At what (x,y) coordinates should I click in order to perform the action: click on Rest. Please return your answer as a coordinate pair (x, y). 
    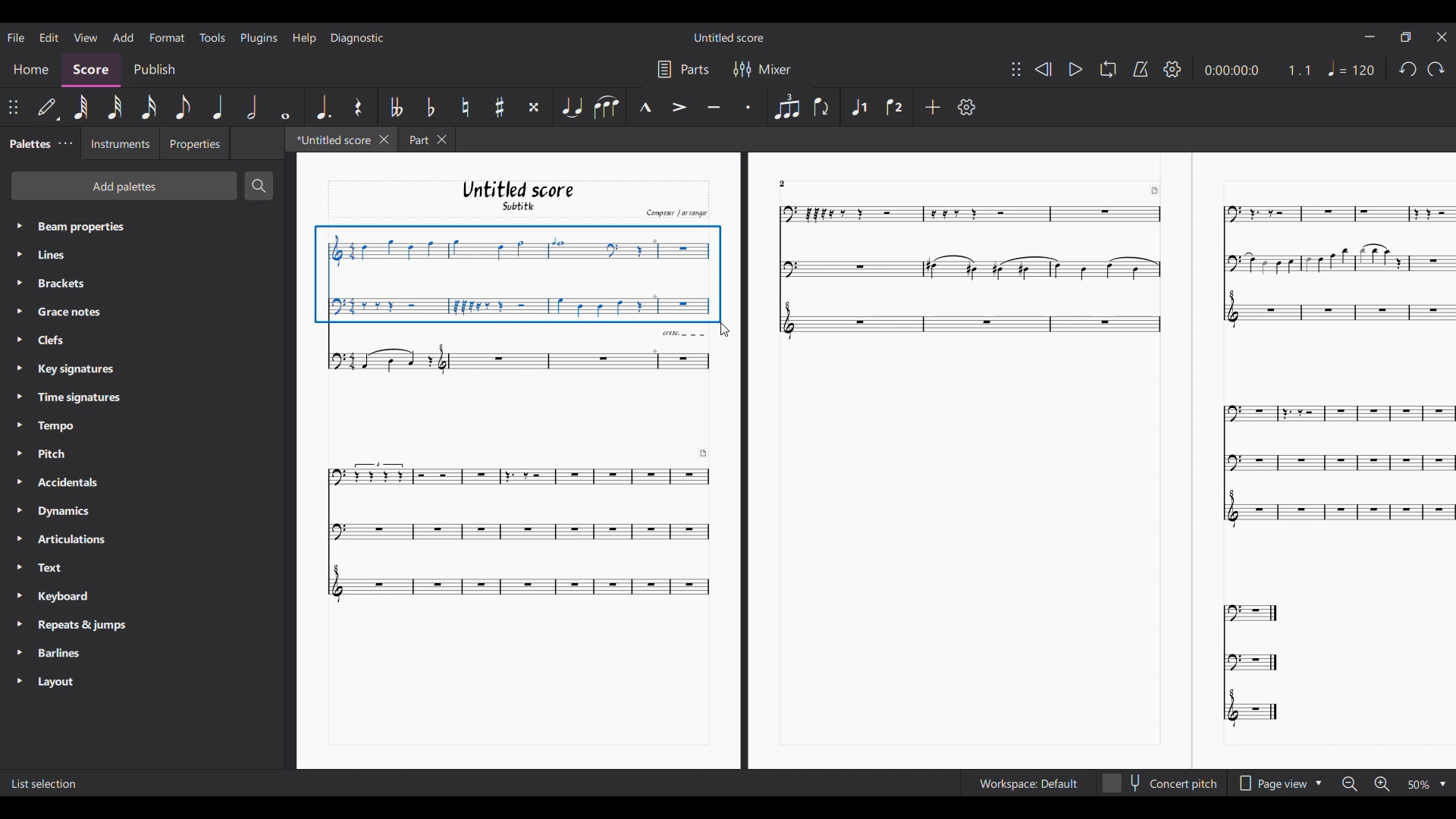
    Looking at the image, I should click on (358, 106).